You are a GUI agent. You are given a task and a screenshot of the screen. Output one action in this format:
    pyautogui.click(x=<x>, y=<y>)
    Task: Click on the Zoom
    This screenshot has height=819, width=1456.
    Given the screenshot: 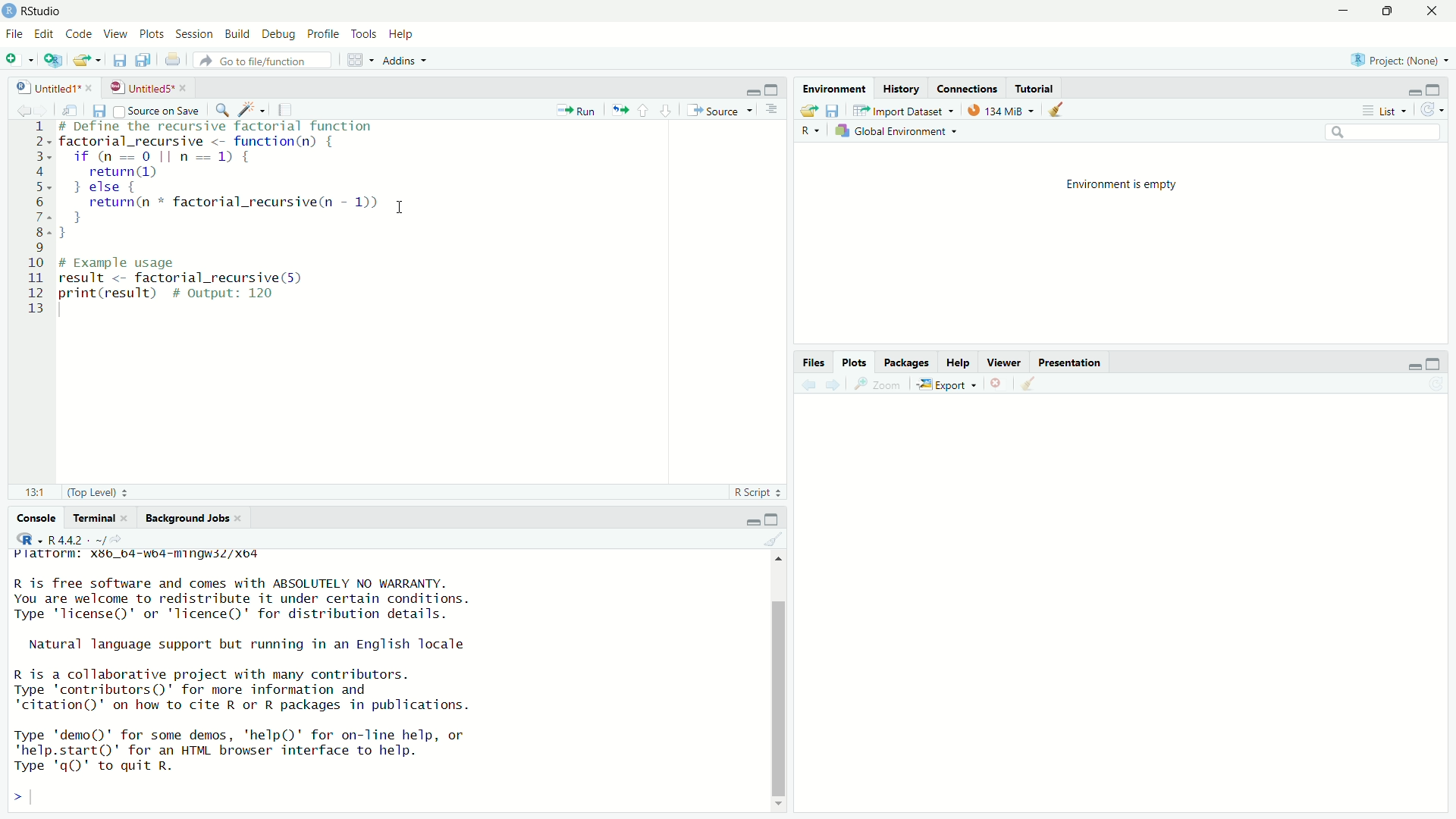 What is the action you would take?
    pyautogui.click(x=880, y=383)
    